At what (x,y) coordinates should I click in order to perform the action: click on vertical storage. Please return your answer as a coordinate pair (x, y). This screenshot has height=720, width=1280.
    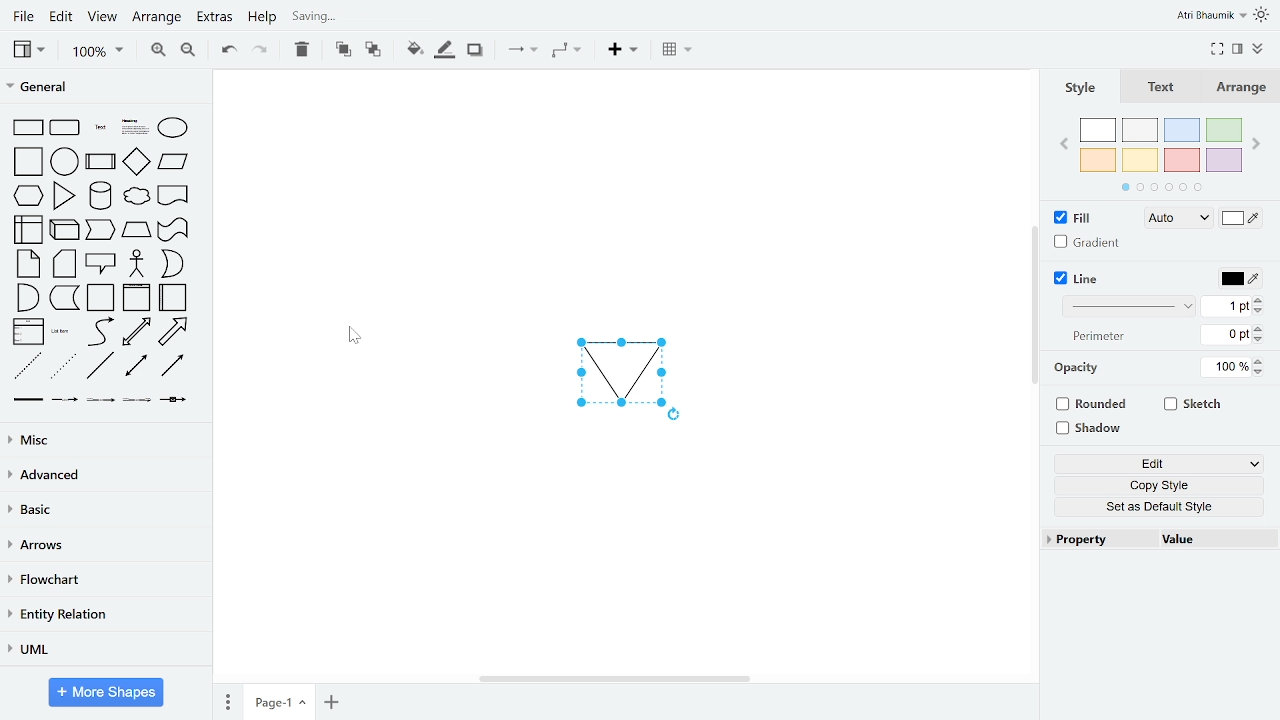
    Looking at the image, I should click on (136, 298).